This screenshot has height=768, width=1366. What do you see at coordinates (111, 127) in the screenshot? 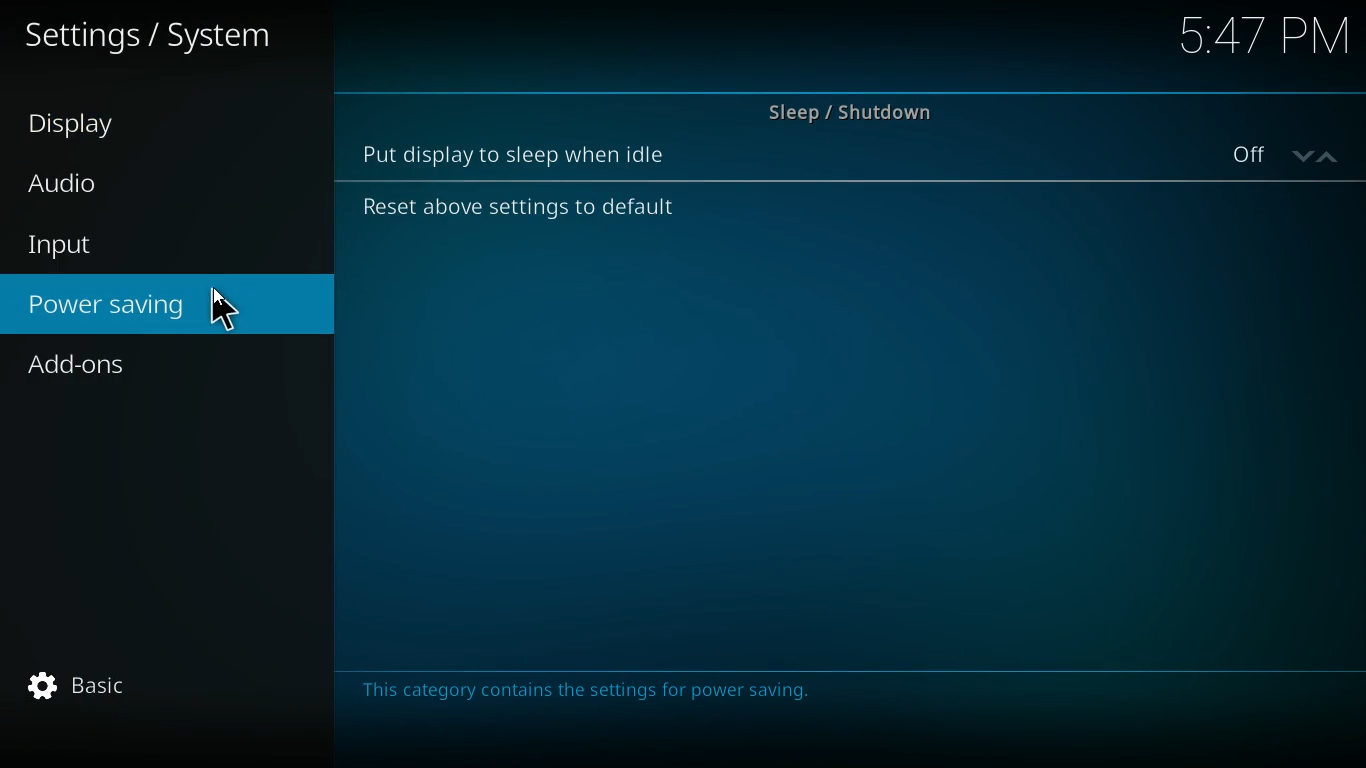
I see `display` at bounding box center [111, 127].